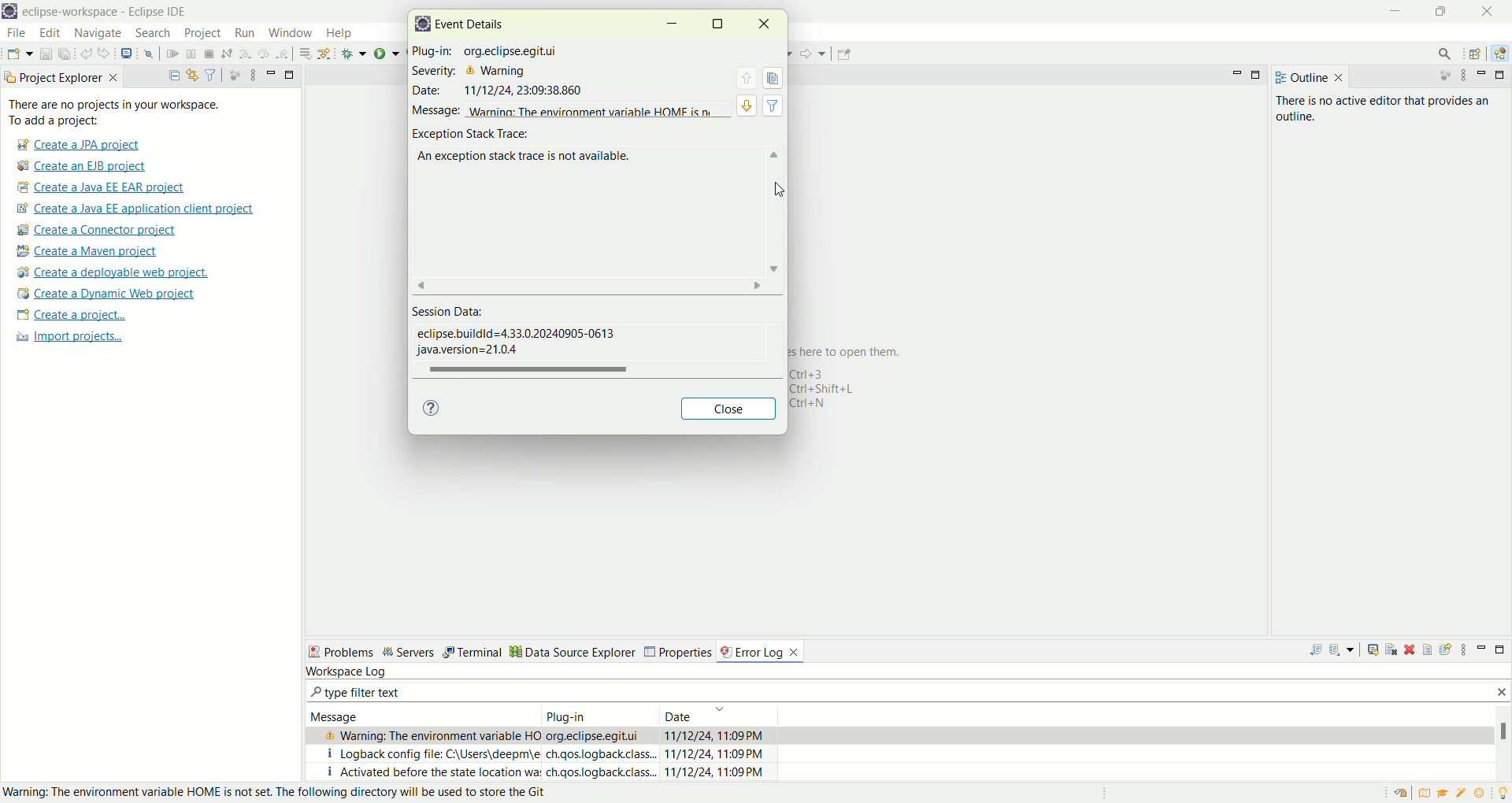 Image resolution: width=1512 pixels, height=803 pixels. What do you see at coordinates (409, 648) in the screenshot?
I see `servers` at bounding box center [409, 648].